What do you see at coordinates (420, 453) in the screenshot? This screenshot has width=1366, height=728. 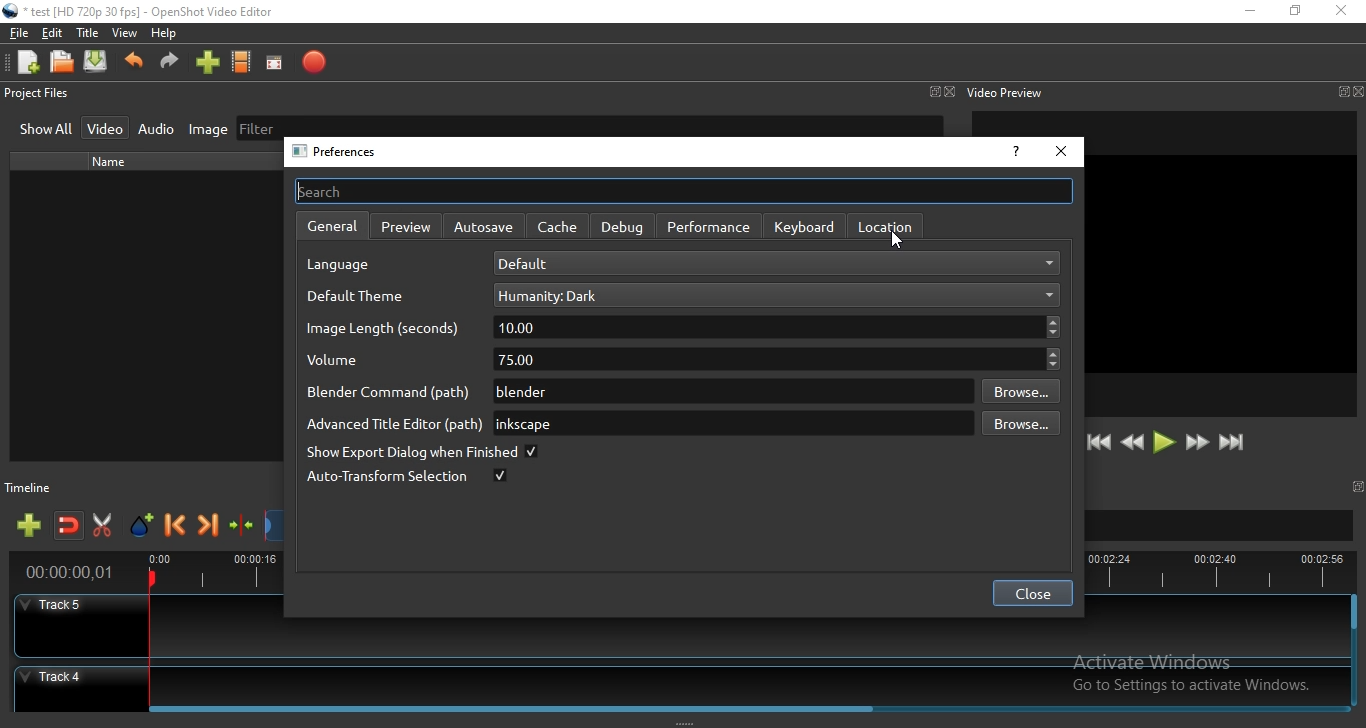 I see `show export dialog when finished` at bounding box center [420, 453].